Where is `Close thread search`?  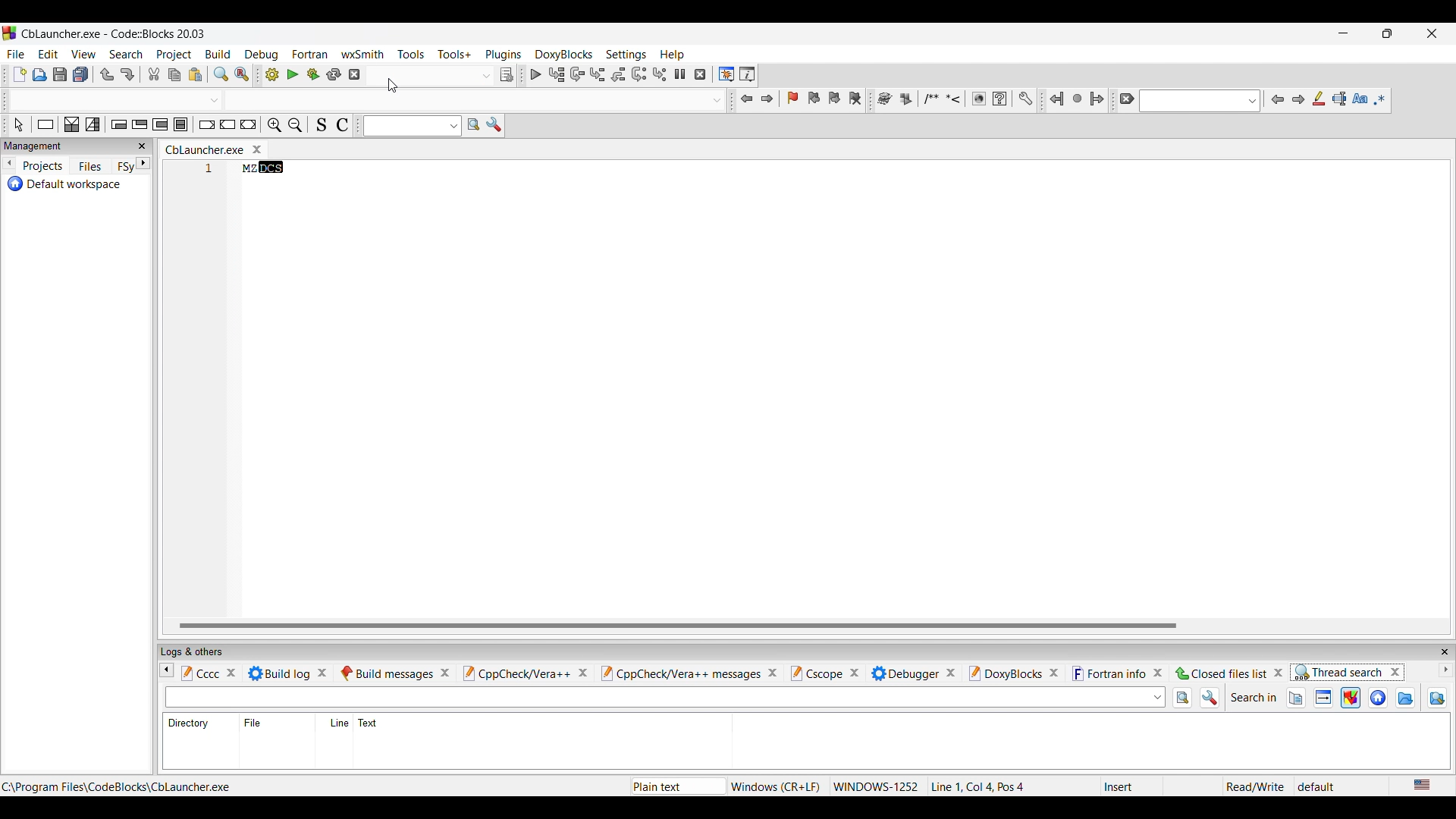 Close thread search is located at coordinates (1395, 672).